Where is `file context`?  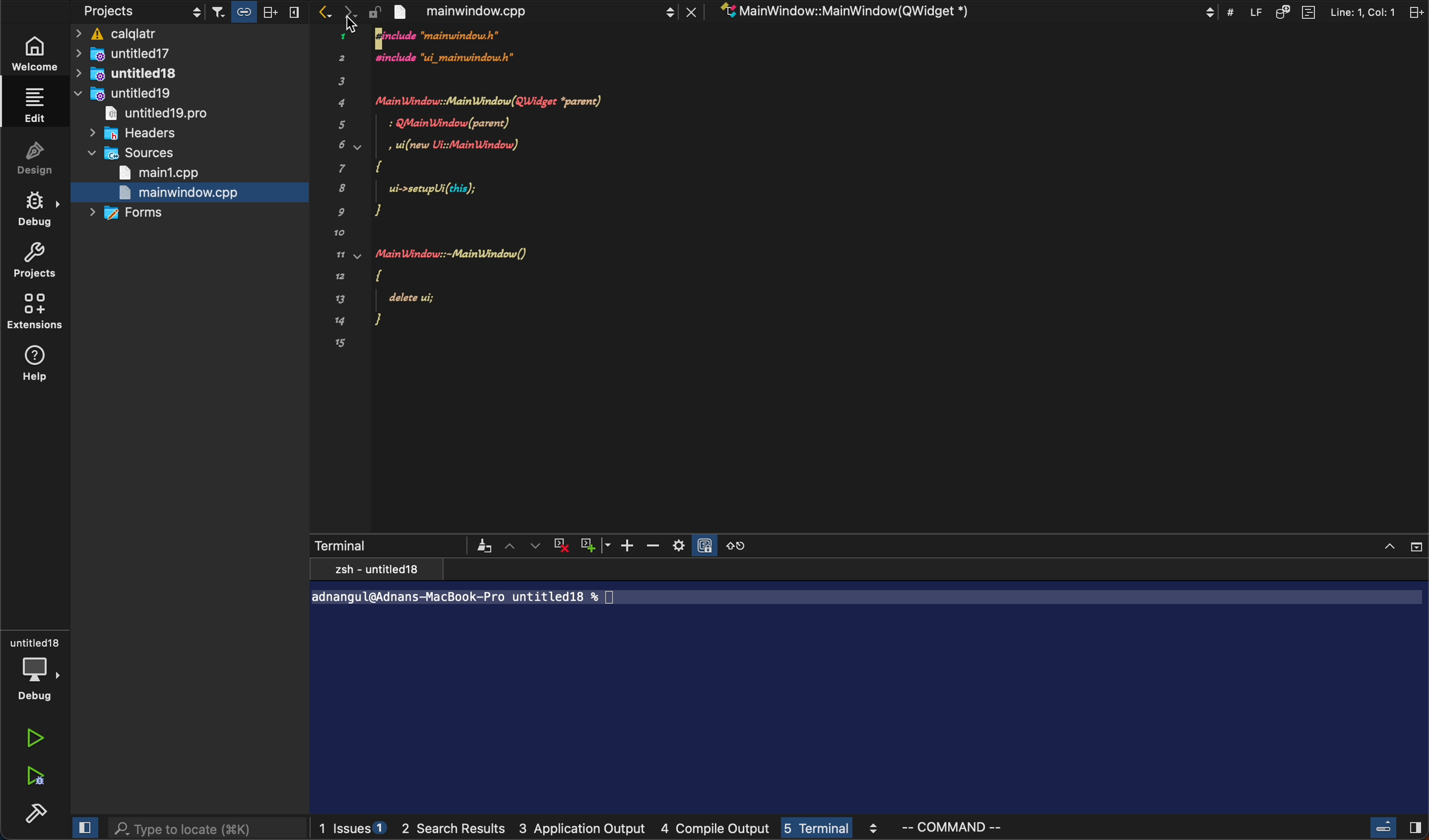 file context is located at coordinates (962, 11).